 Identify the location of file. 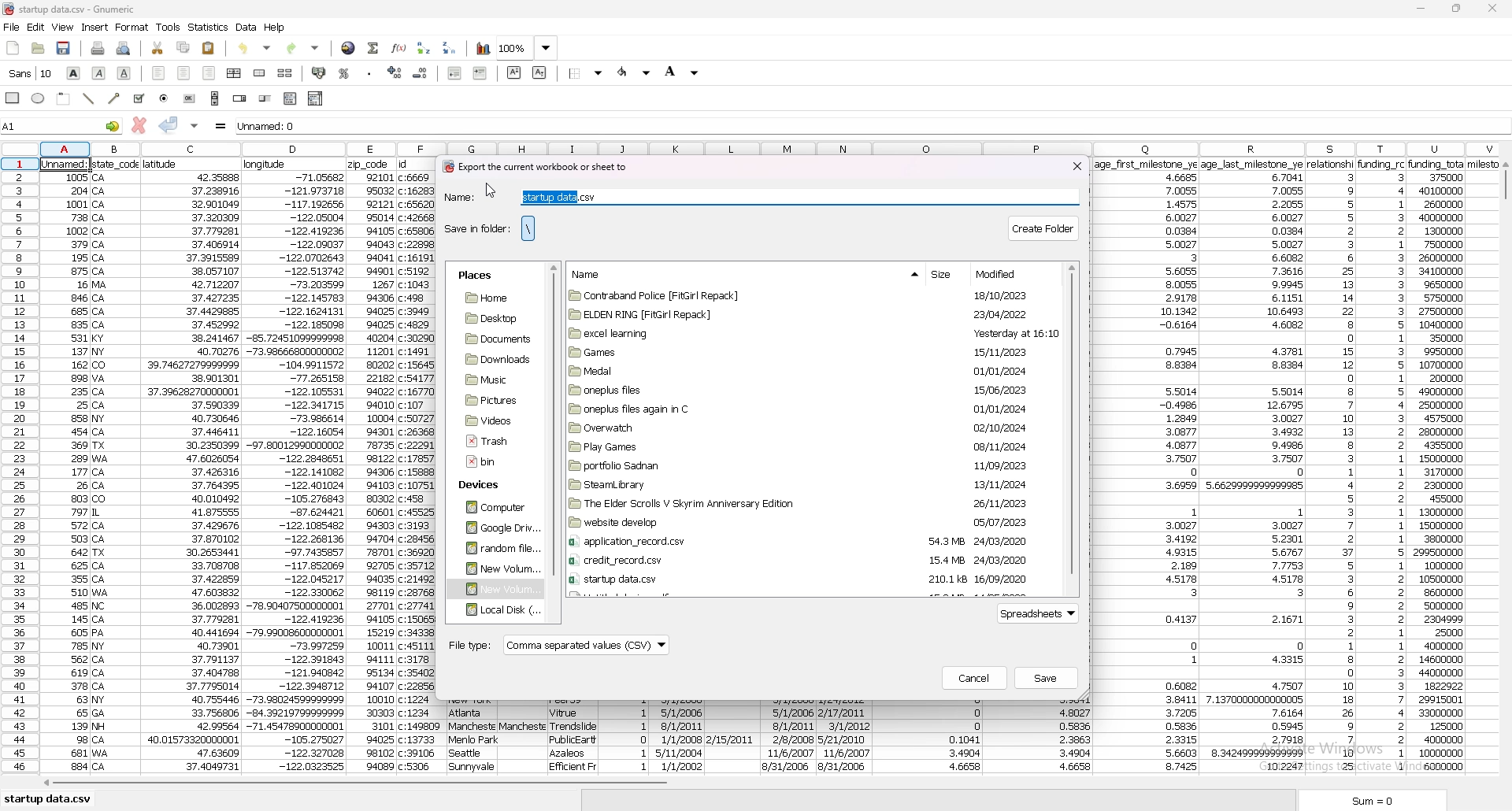
(12, 28).